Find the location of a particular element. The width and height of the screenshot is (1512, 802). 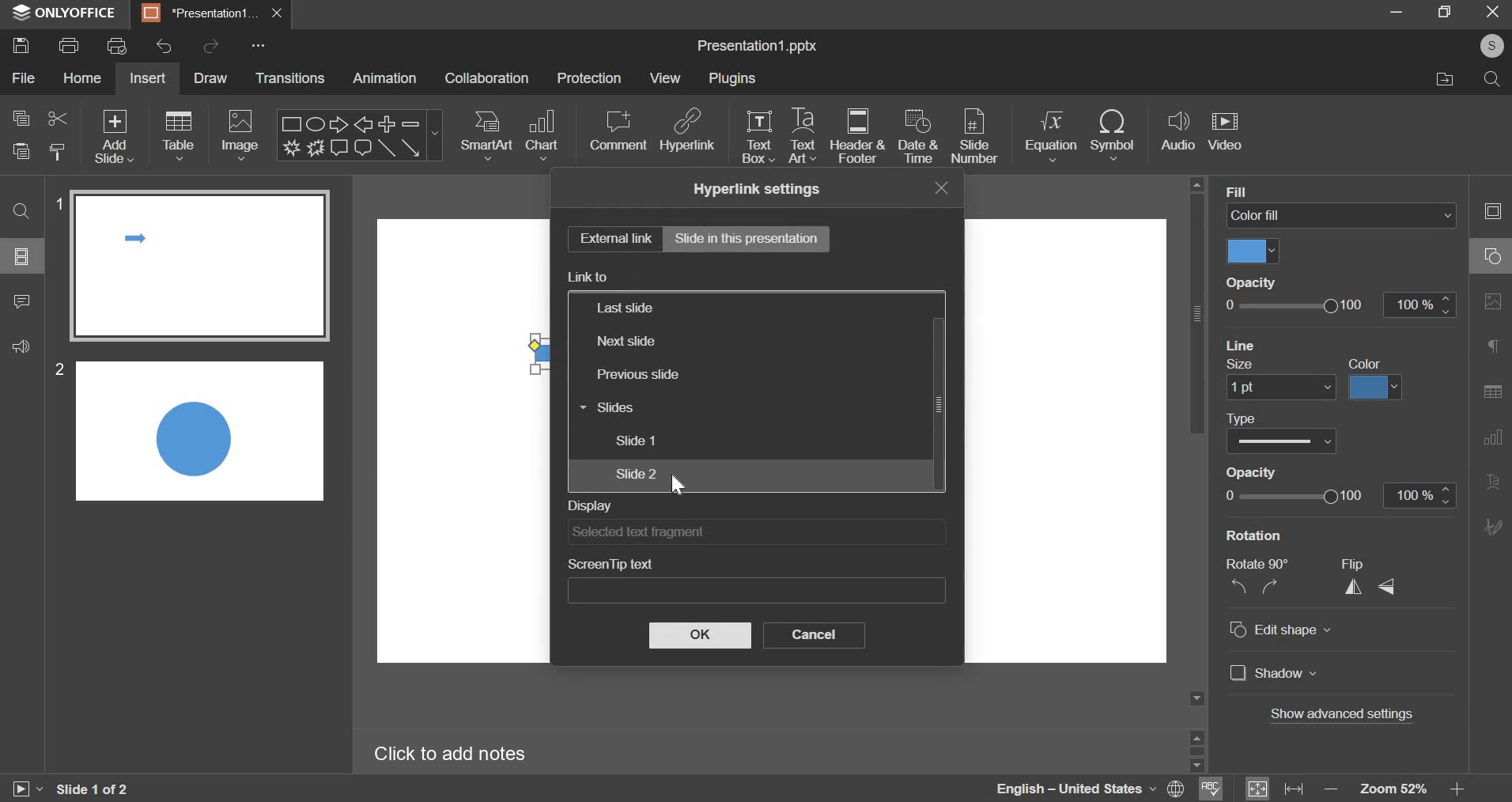

print preview is located at coordinates (117, 44).